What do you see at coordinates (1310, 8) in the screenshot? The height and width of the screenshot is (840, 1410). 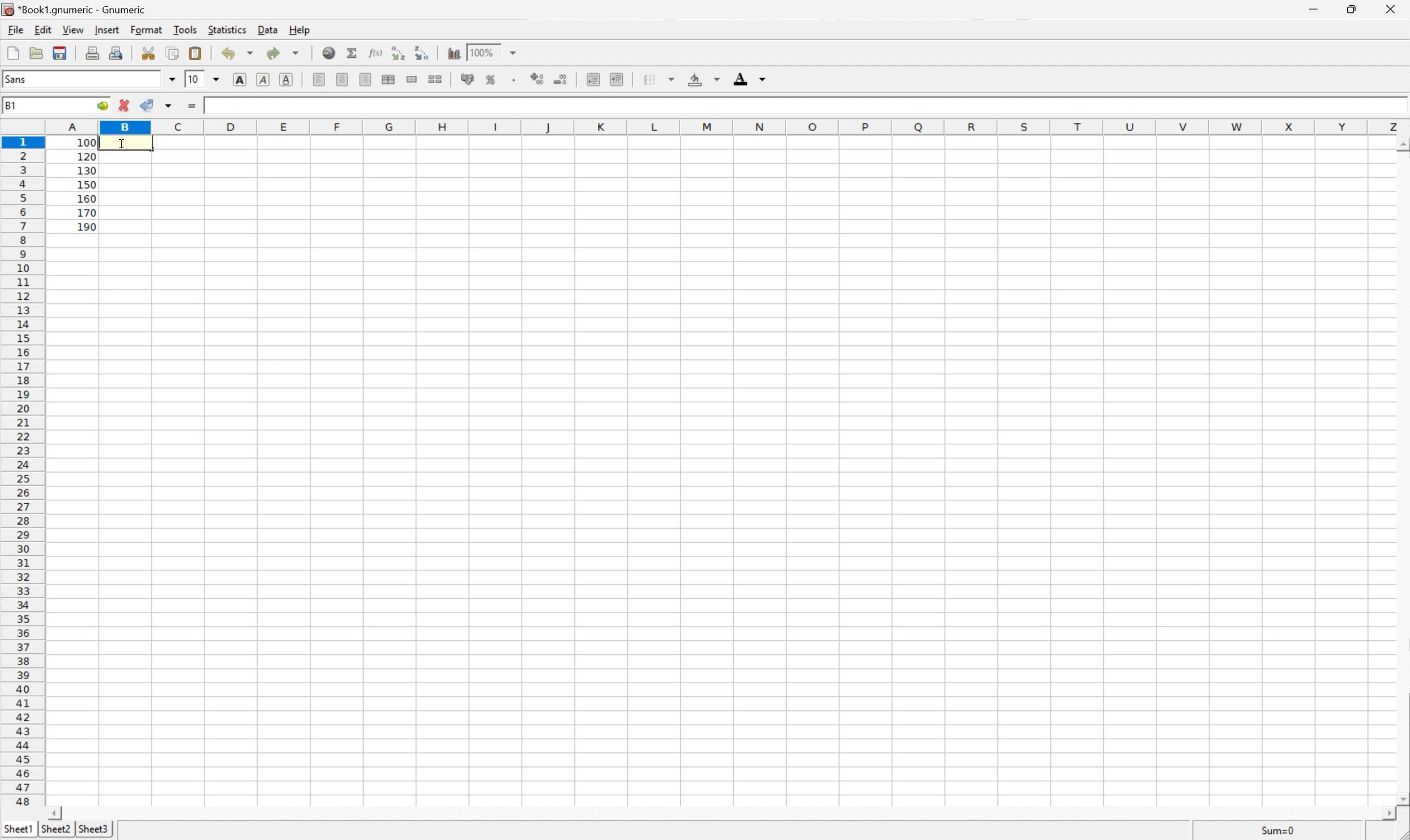 I see `Minimize` at bounding box center [1310, 8].